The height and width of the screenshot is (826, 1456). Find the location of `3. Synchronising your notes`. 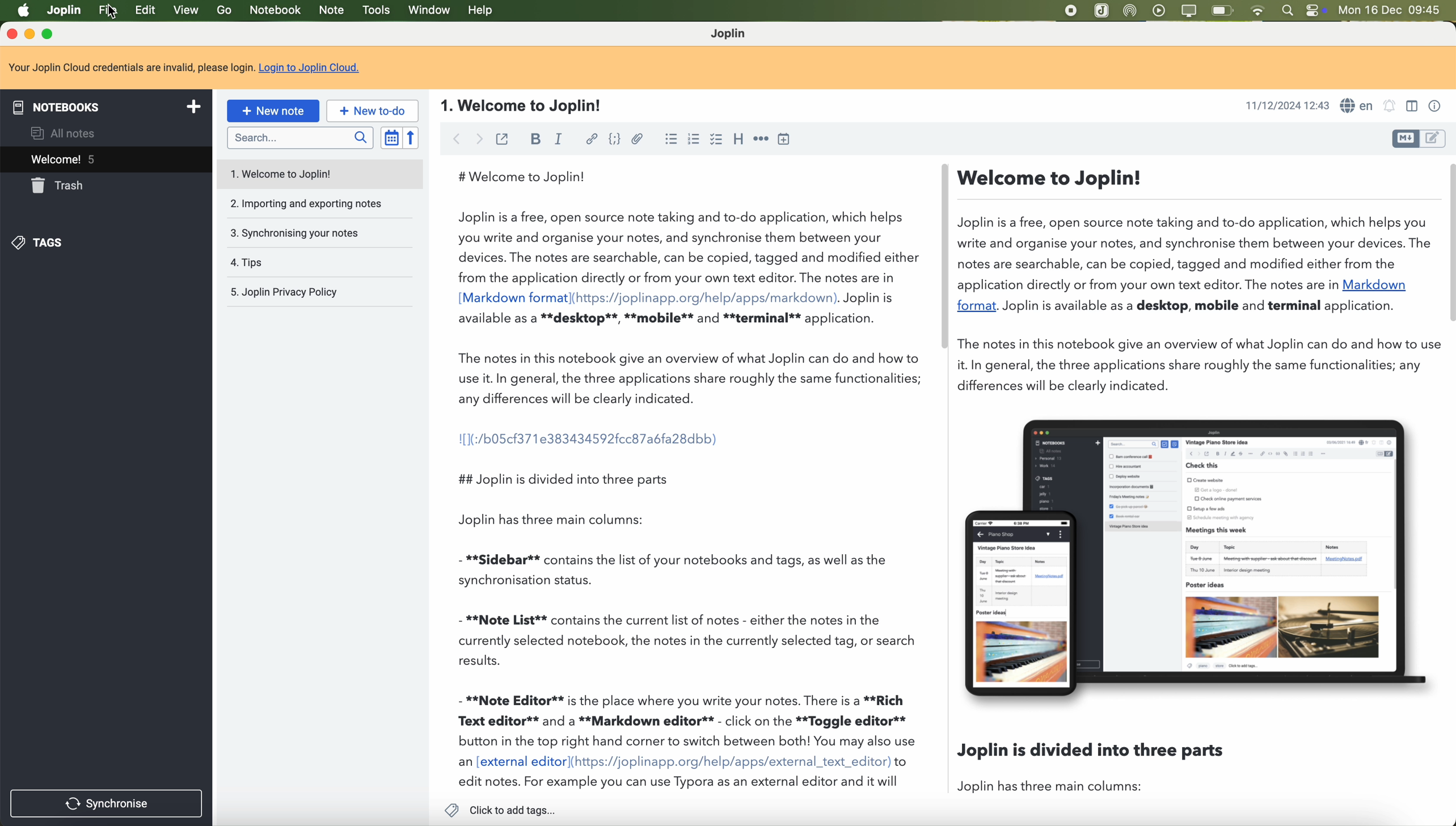

3. Synchronising your notes is located at coordinates (297, 233).